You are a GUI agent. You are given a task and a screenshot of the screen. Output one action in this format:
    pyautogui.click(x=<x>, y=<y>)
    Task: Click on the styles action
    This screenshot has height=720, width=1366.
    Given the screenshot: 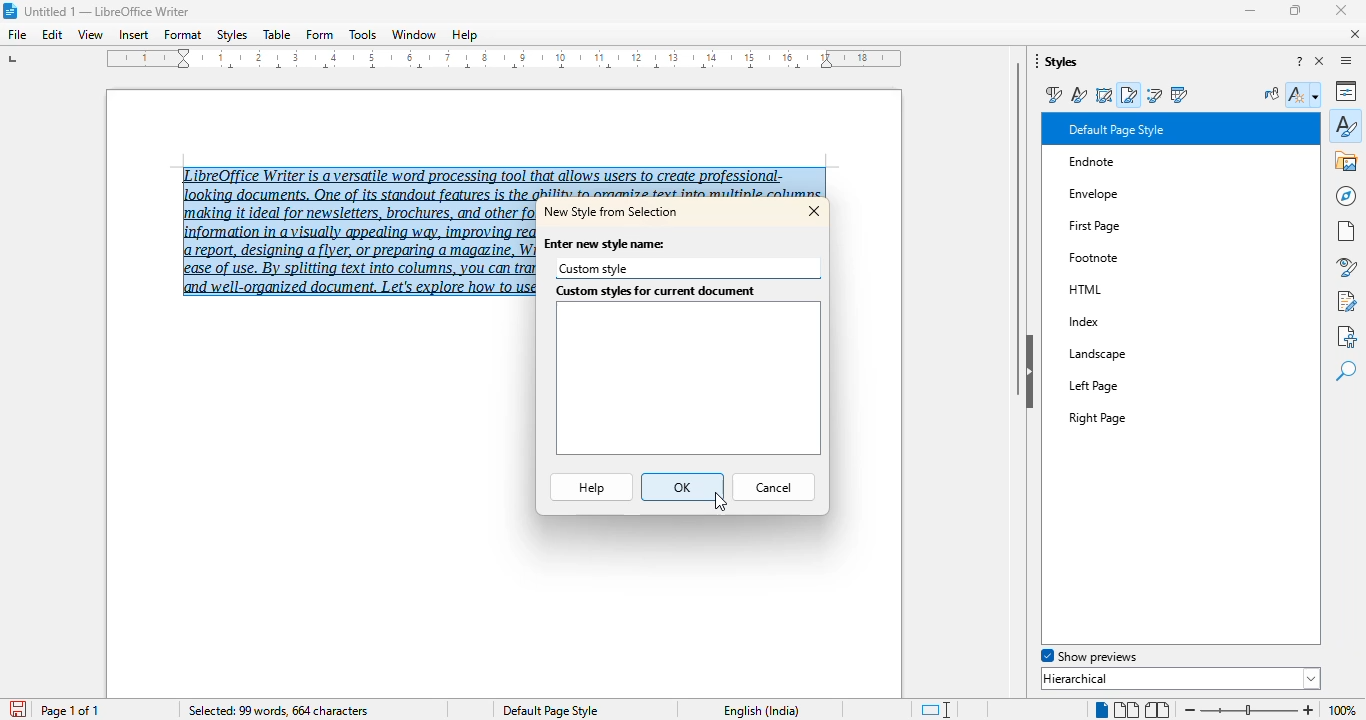 What is the action you would take?
    pyautogui.click(x=1305, y=94)
    